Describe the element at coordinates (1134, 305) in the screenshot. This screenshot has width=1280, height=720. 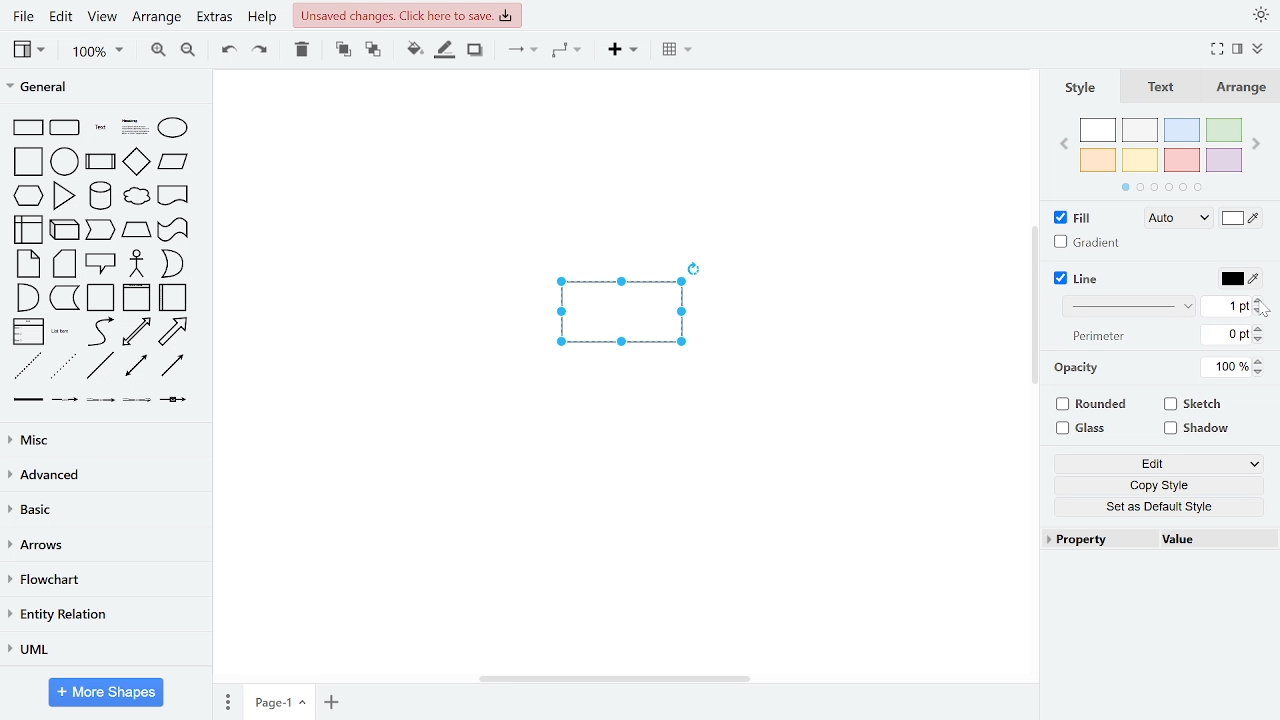
I see `patterns` at that location.